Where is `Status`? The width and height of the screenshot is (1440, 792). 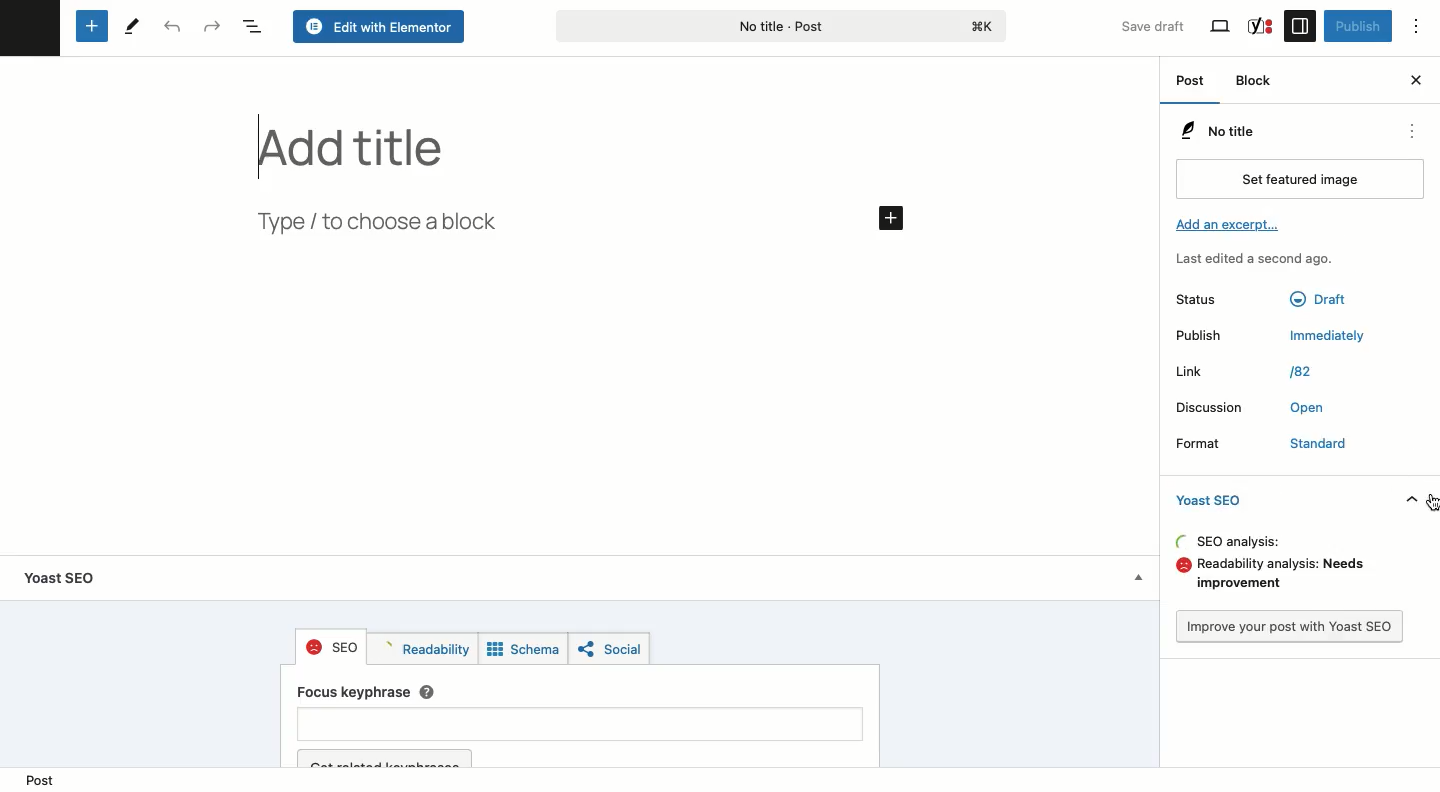 Status is located at coordinates (1205, 299).